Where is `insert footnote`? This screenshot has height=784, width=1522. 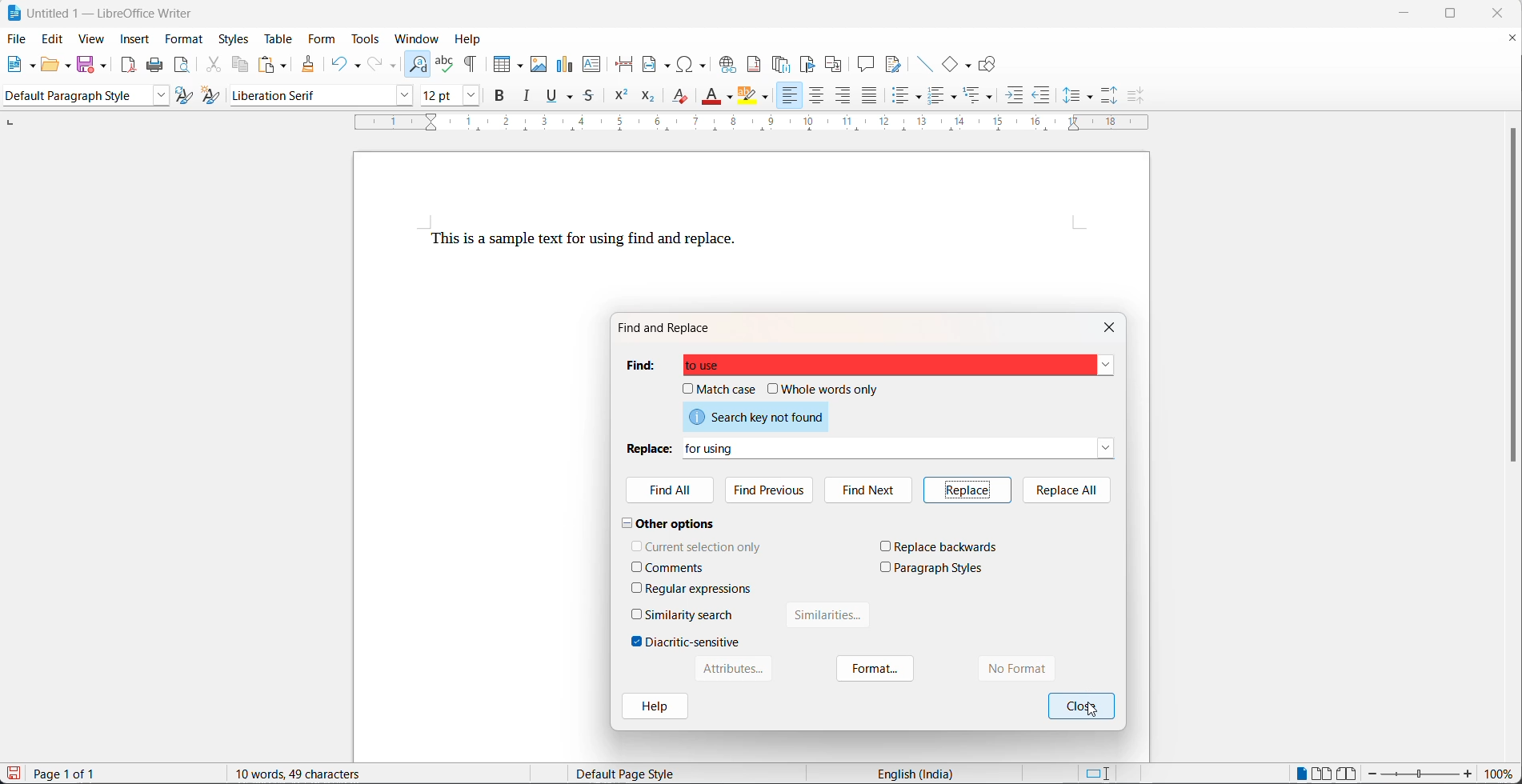 insert footnote is located at coordinates (756, 64).